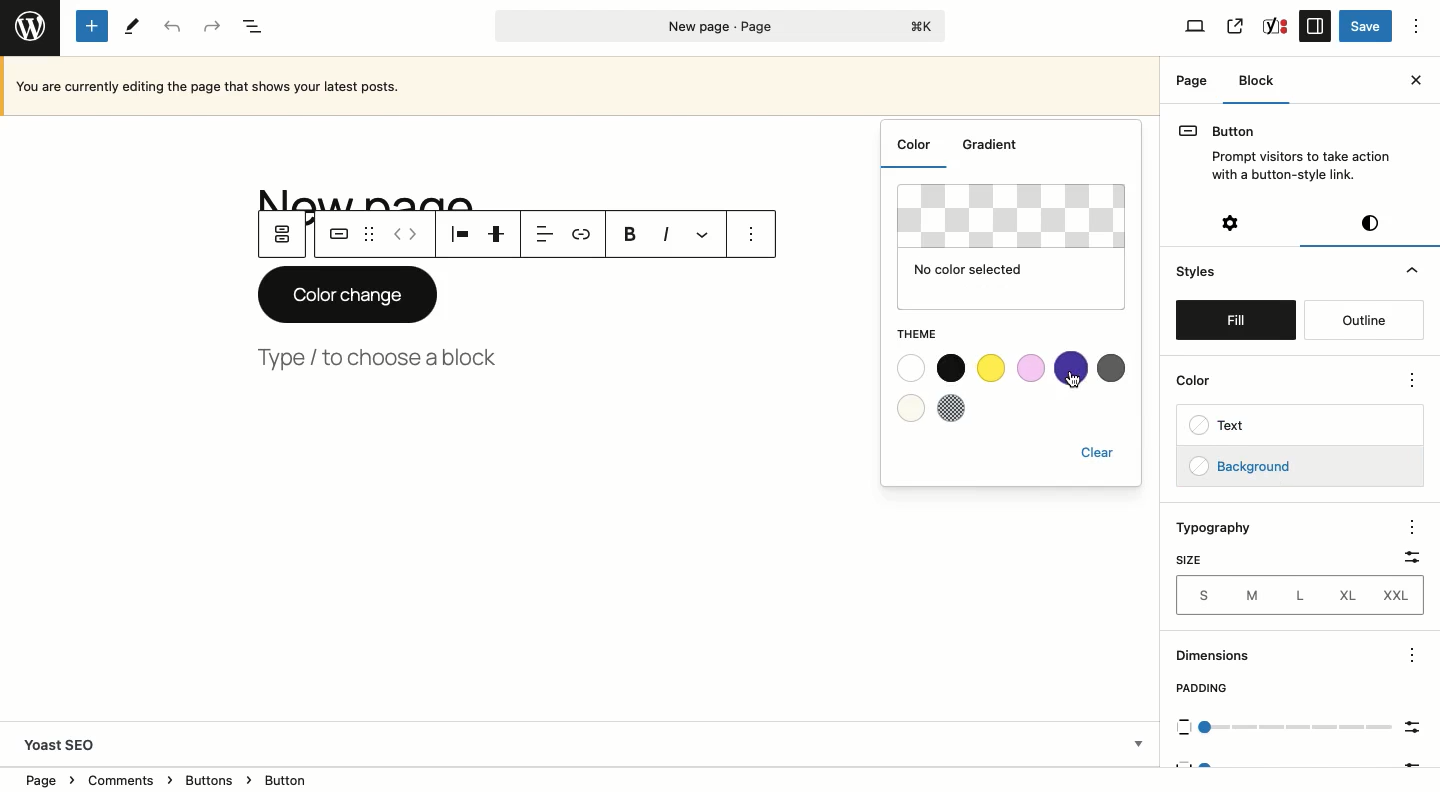  Describe the element at coordinates (1232, 222) in the screenshot. I see `Settings` at that location.